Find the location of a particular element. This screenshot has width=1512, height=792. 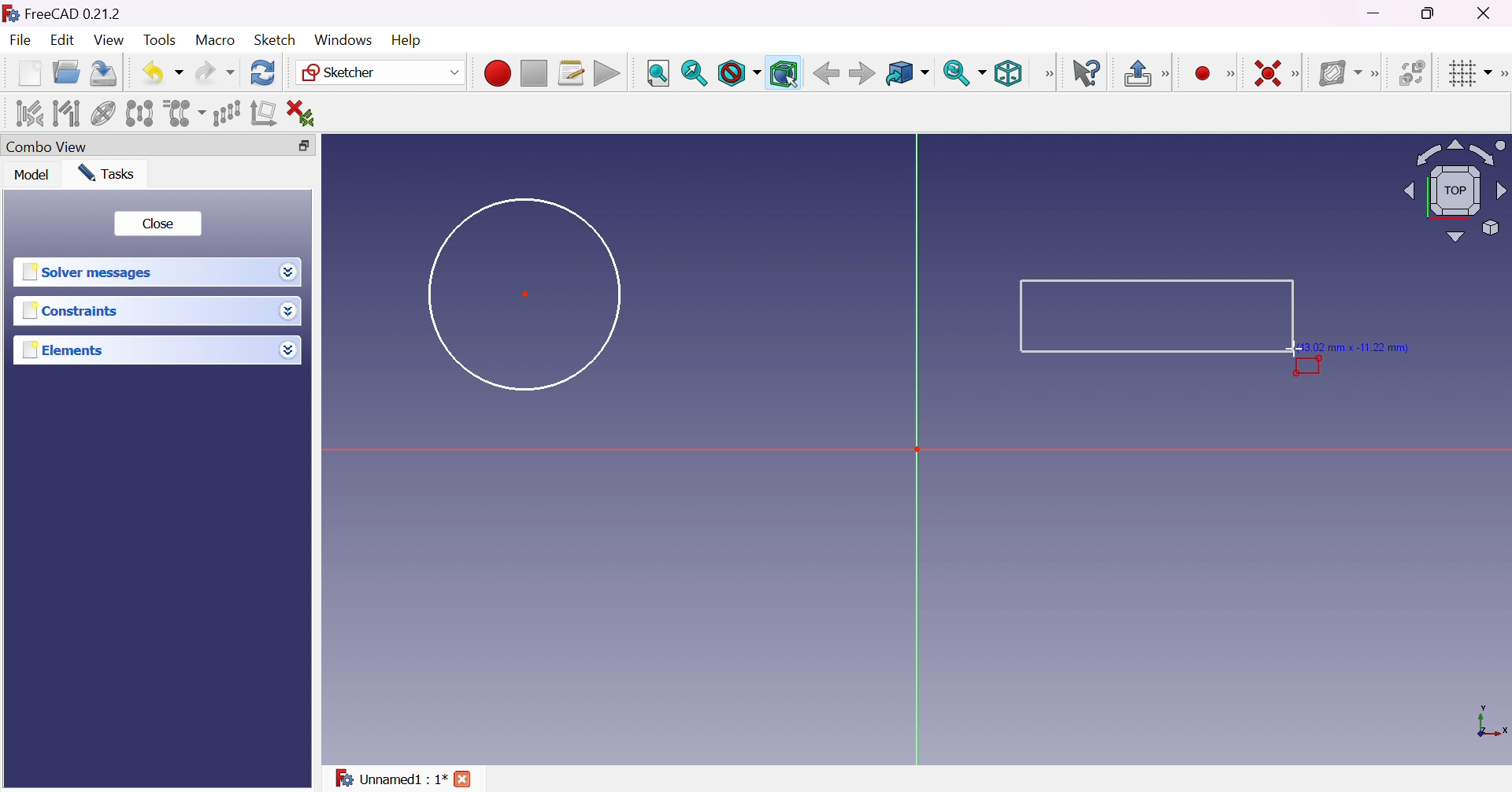

close is located at coordinates (465, 779).